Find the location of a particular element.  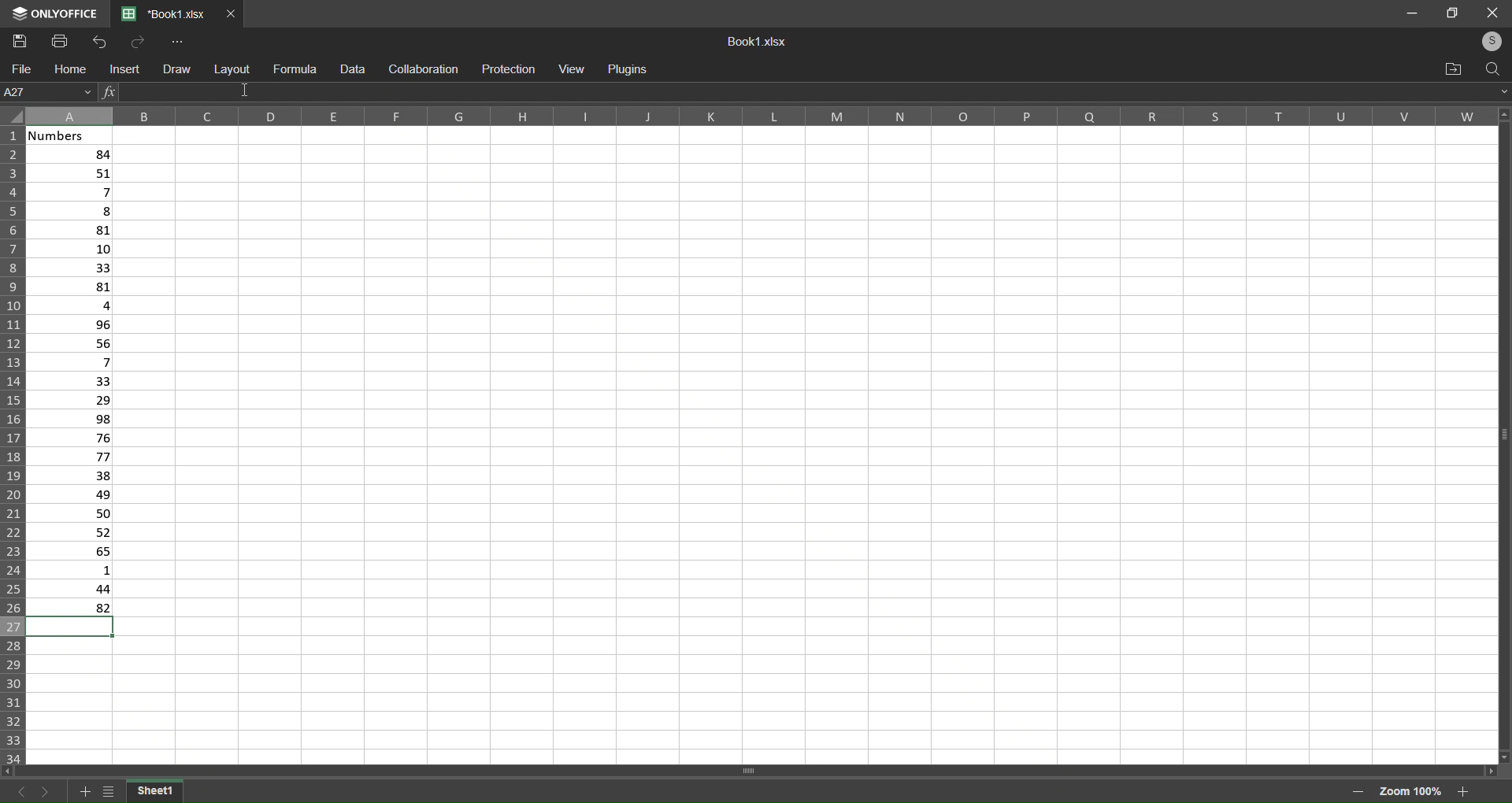

move up is located at coordinates (1502, 113).